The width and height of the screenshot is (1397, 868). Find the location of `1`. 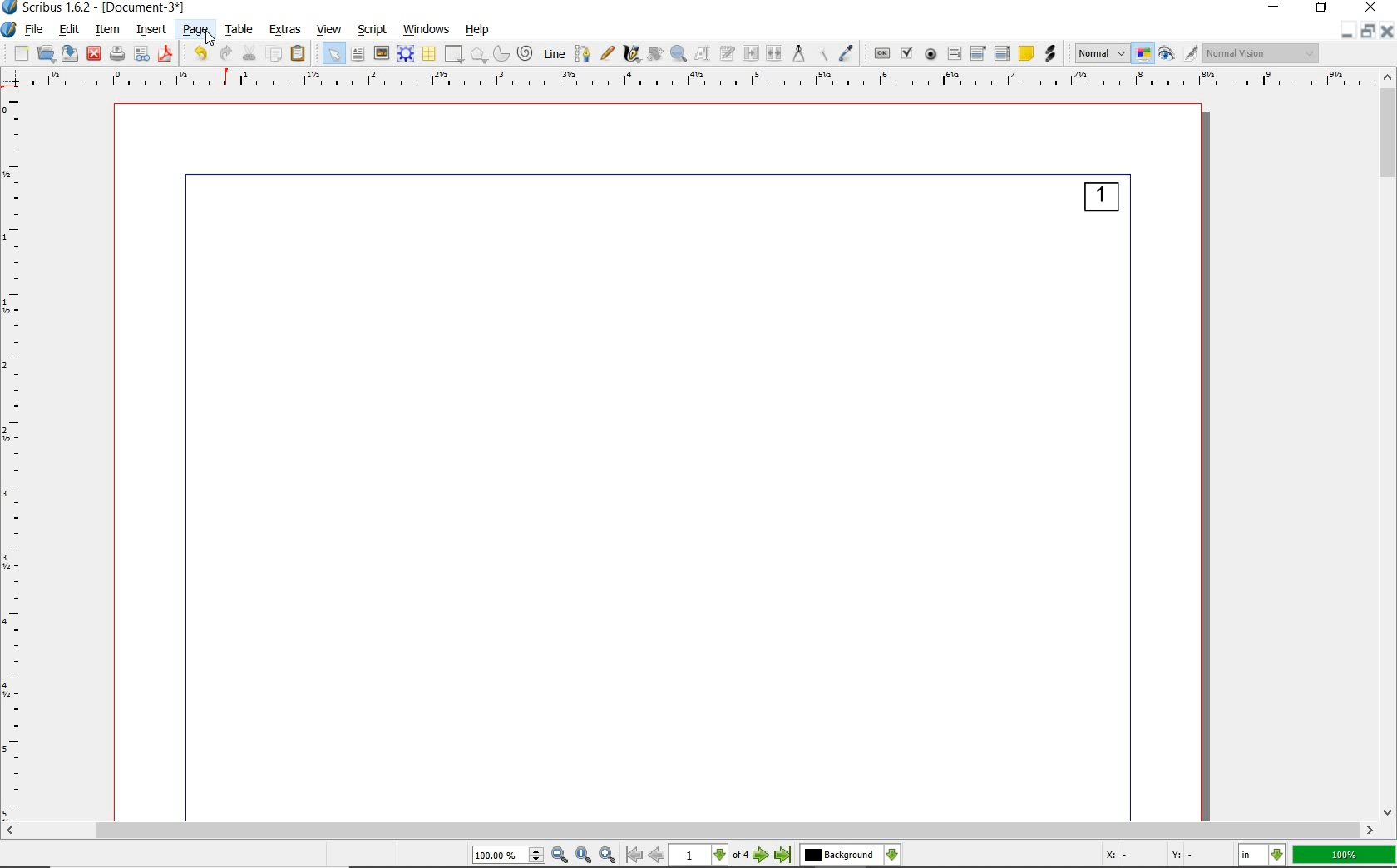

1 is located at coordinates (1101, 200).